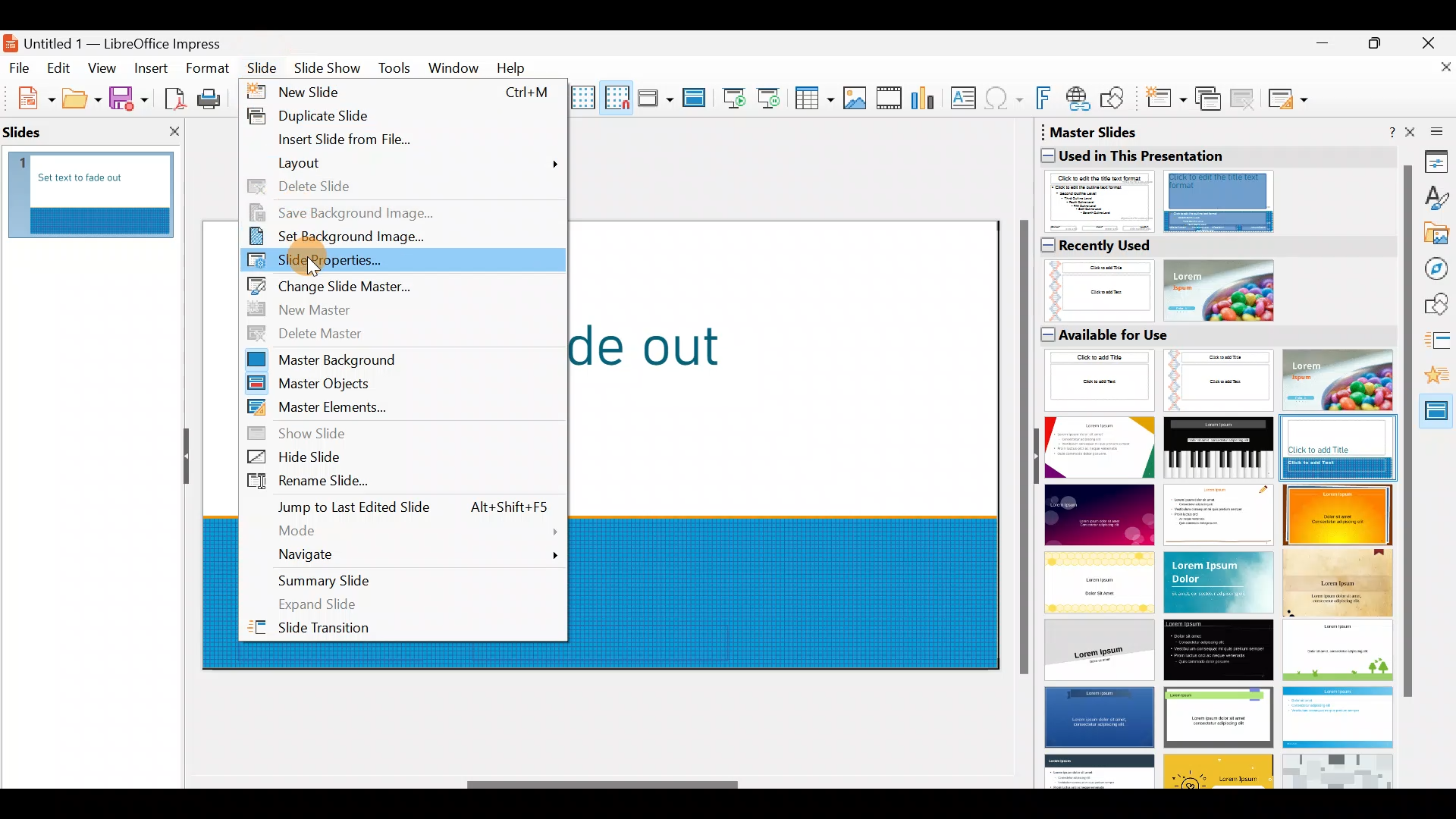 This screenshot has height=819, width=1456. I want to click on Document name, so click(124, 39).